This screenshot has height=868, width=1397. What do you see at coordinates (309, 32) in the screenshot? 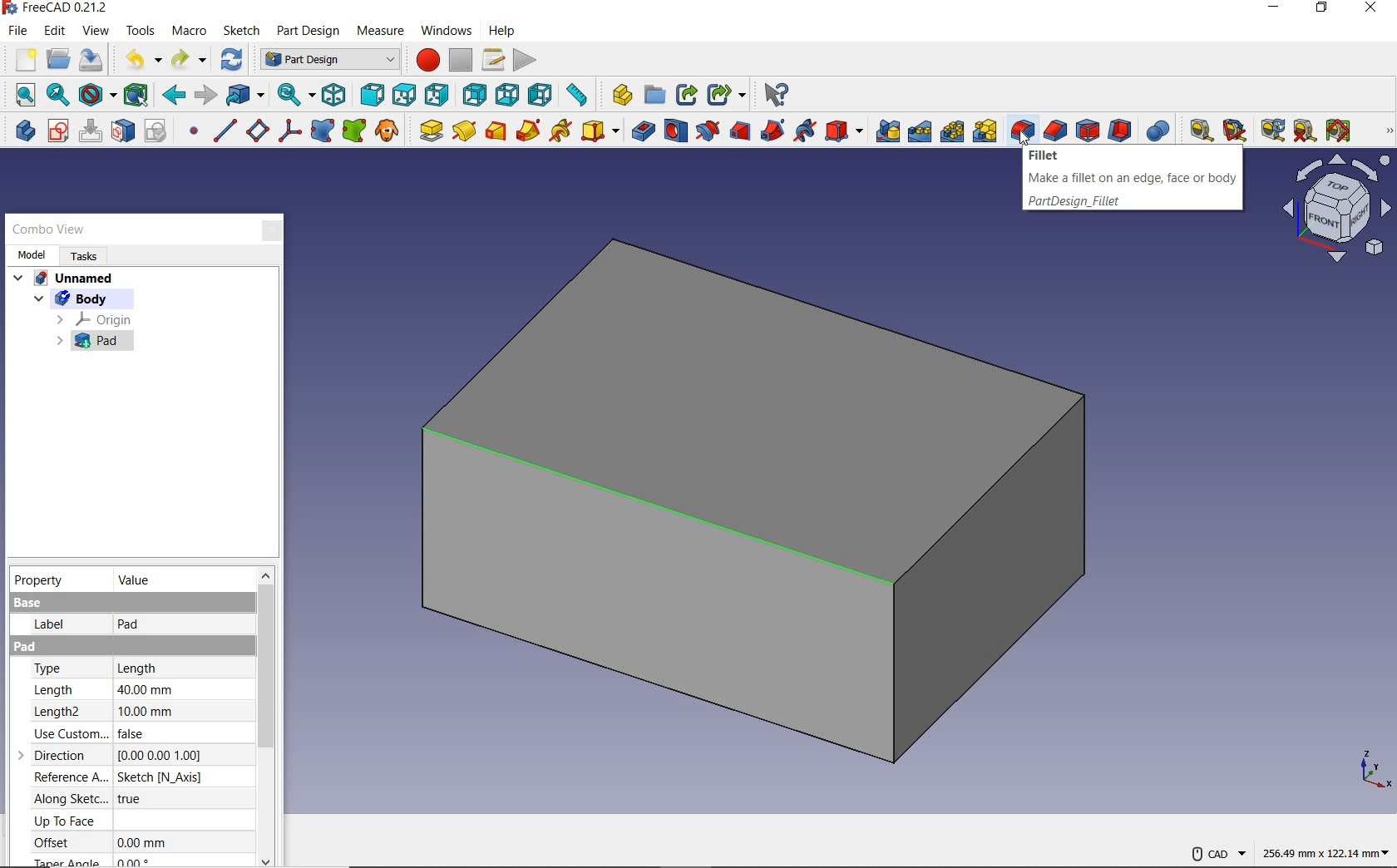
I see `part design` at bounding box center [309, 32].